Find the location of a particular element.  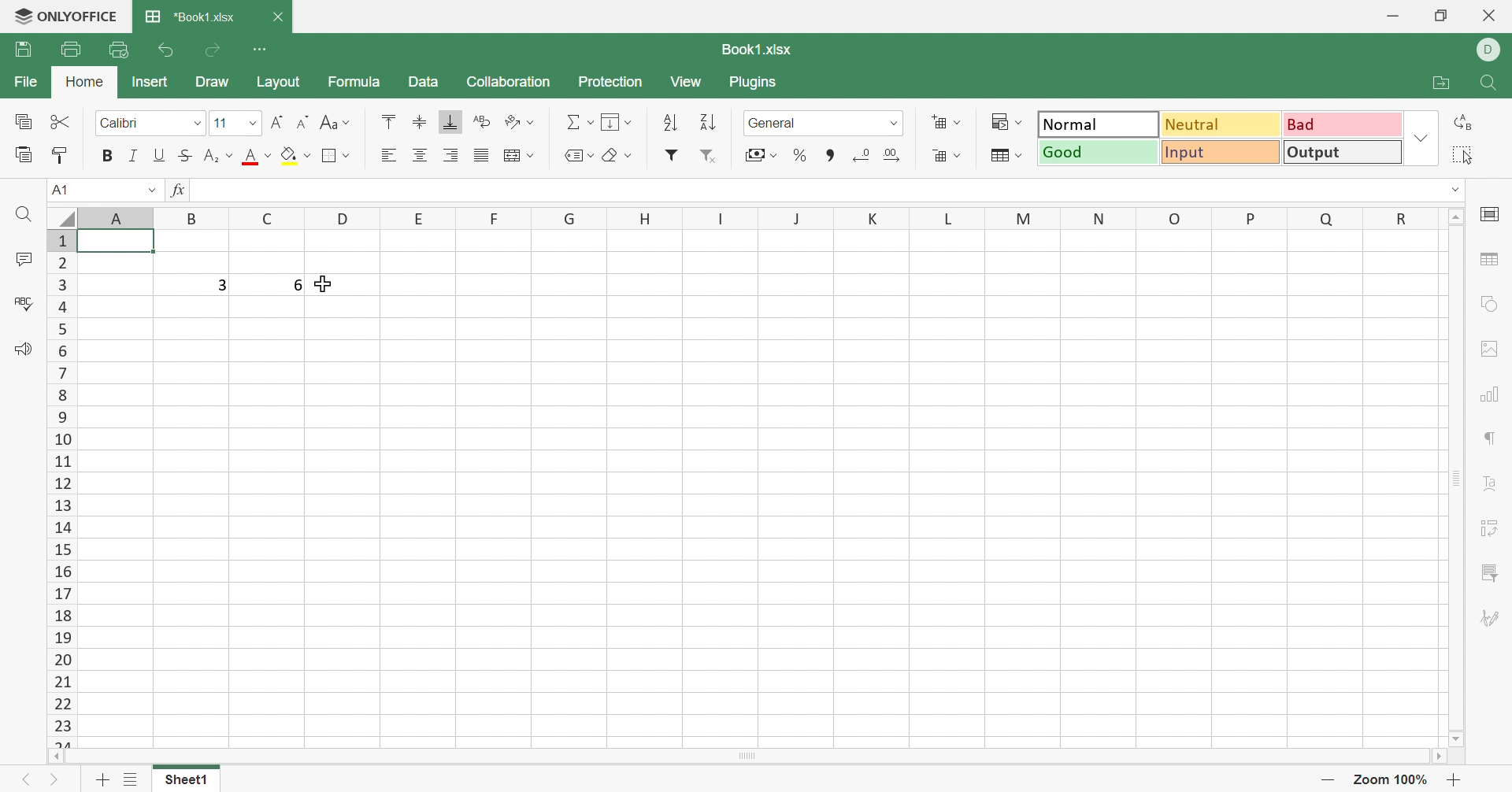

Percent style is located at coordinates (801, 156).